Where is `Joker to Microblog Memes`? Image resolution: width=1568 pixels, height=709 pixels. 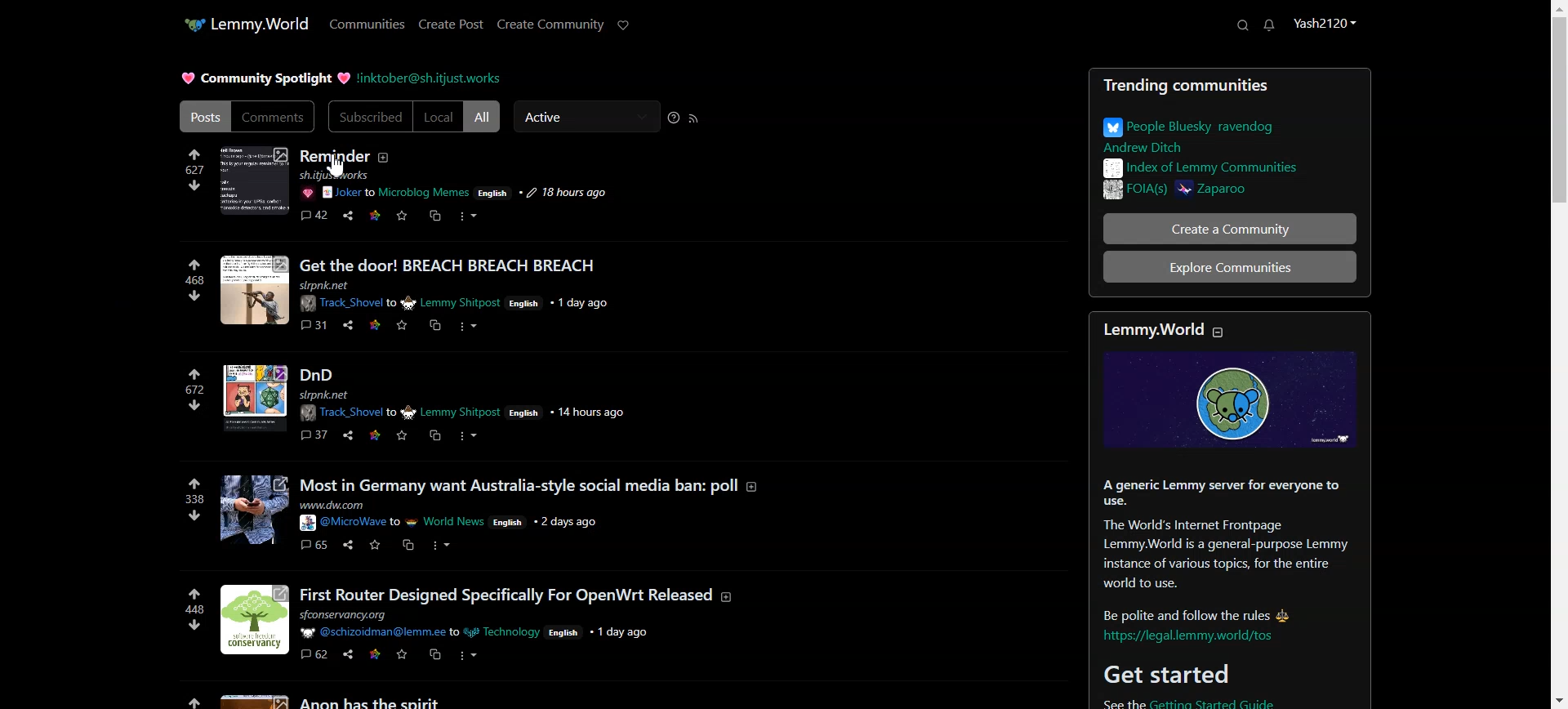
Joker to Microblog Memes is located at coordinates (396, 192).